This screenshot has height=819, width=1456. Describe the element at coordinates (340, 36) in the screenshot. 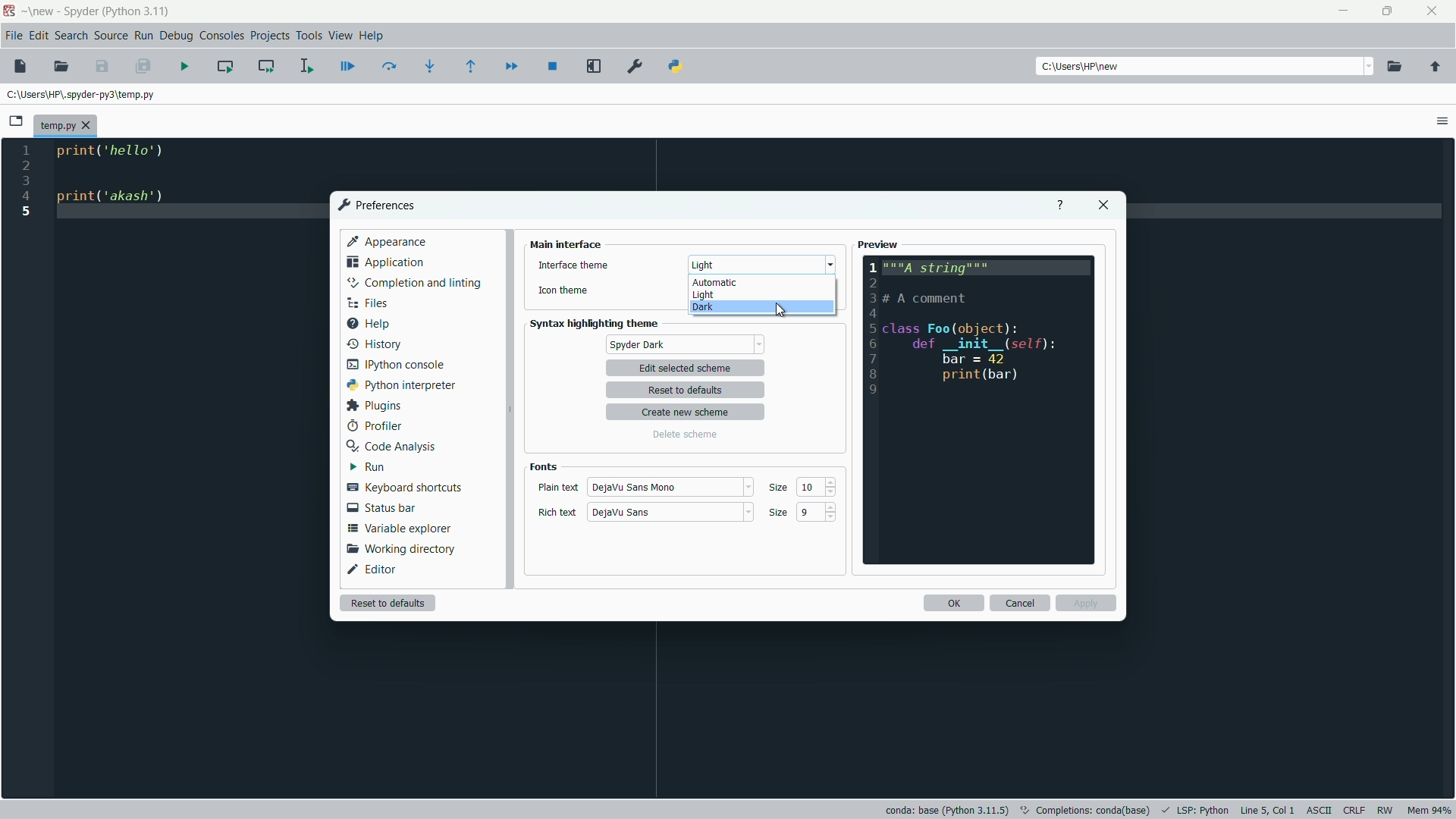

I see `view menu` at that location.